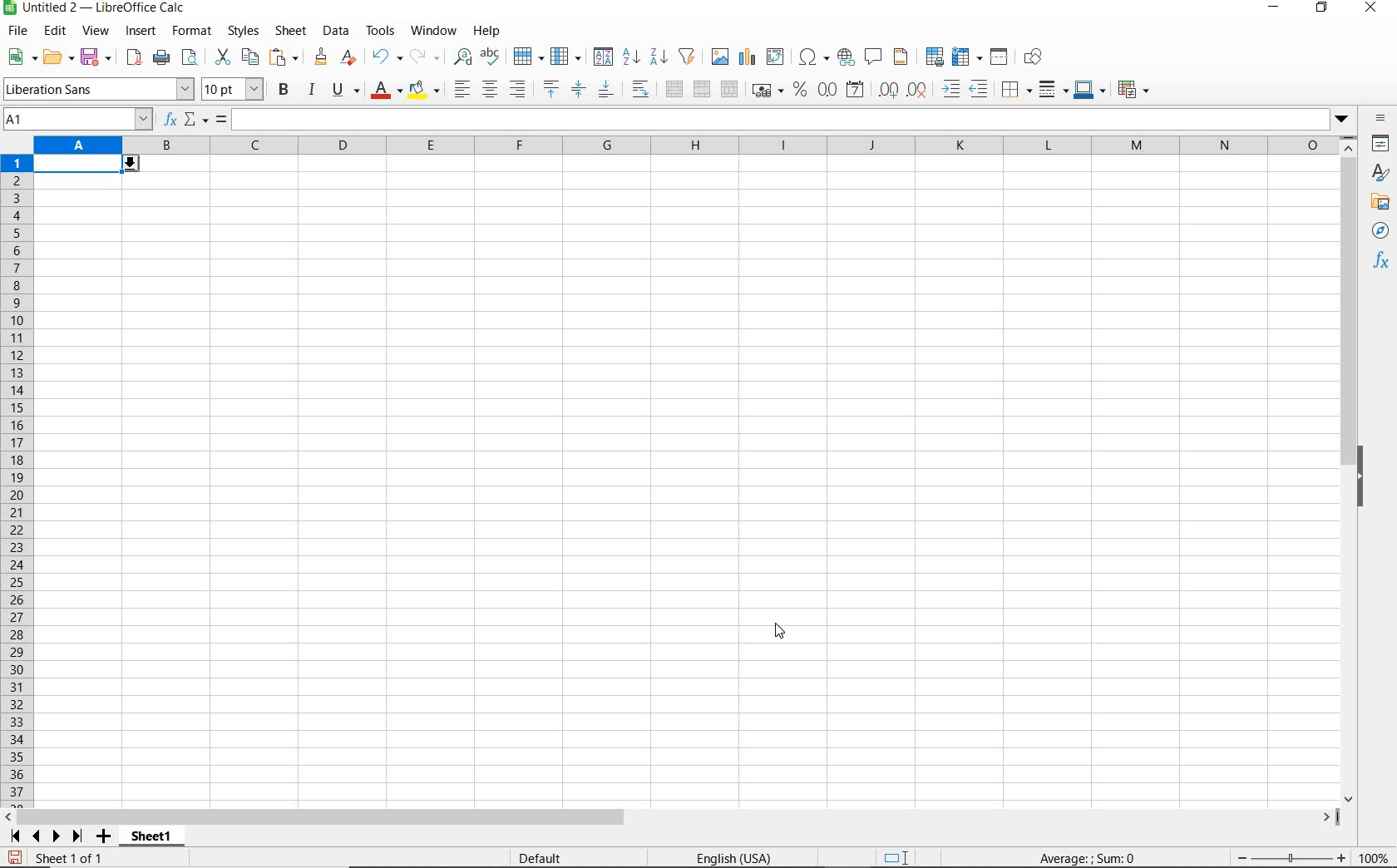  Describe the element at coordinates (827, 89) in the screenshot. I see `format as number` at that location.